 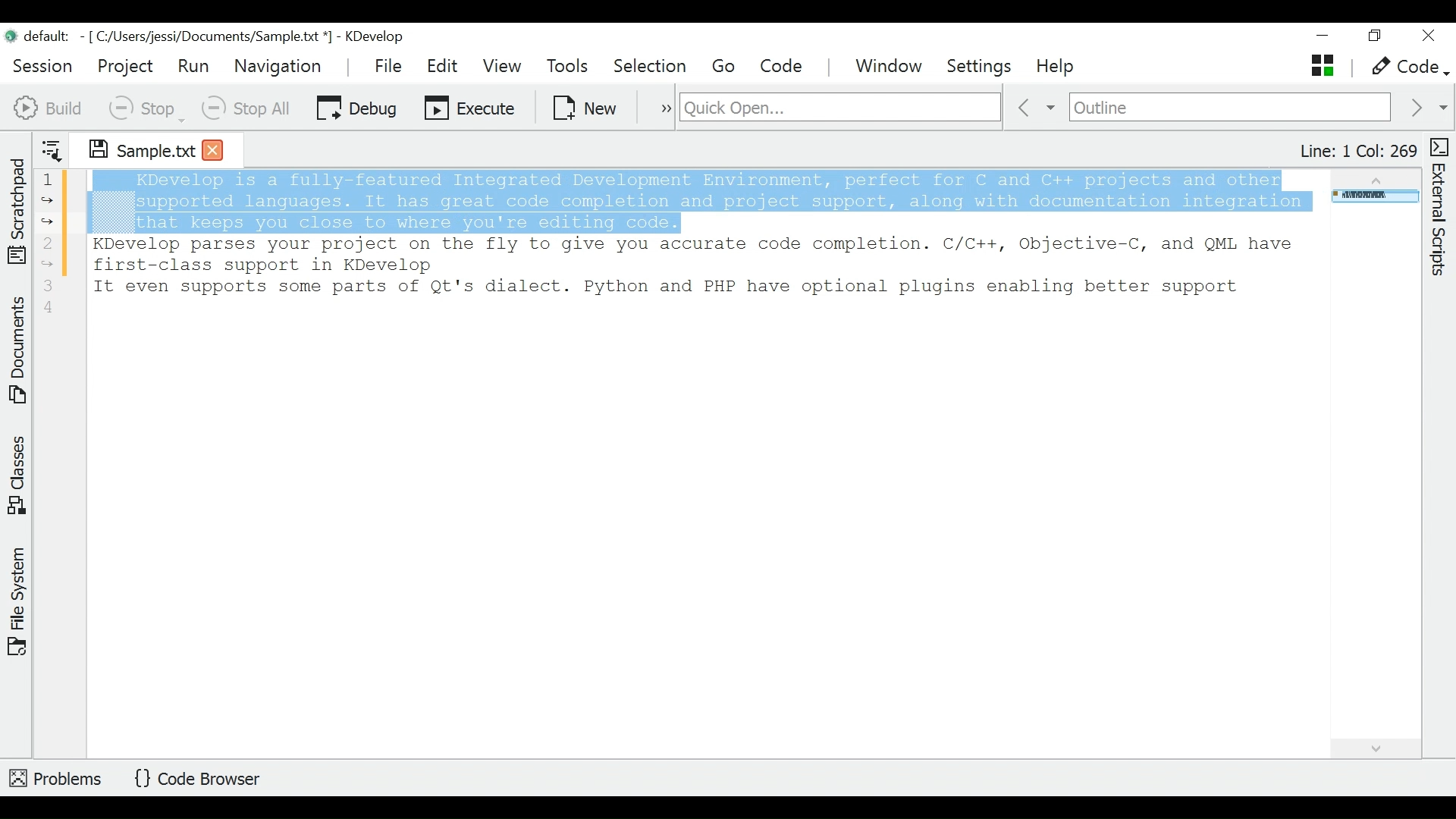 What do you see at coordinates (1321, 65) in the screenshot?
I see `Stack (Opens and activates the documet)` at bounding box center [1321, 65].